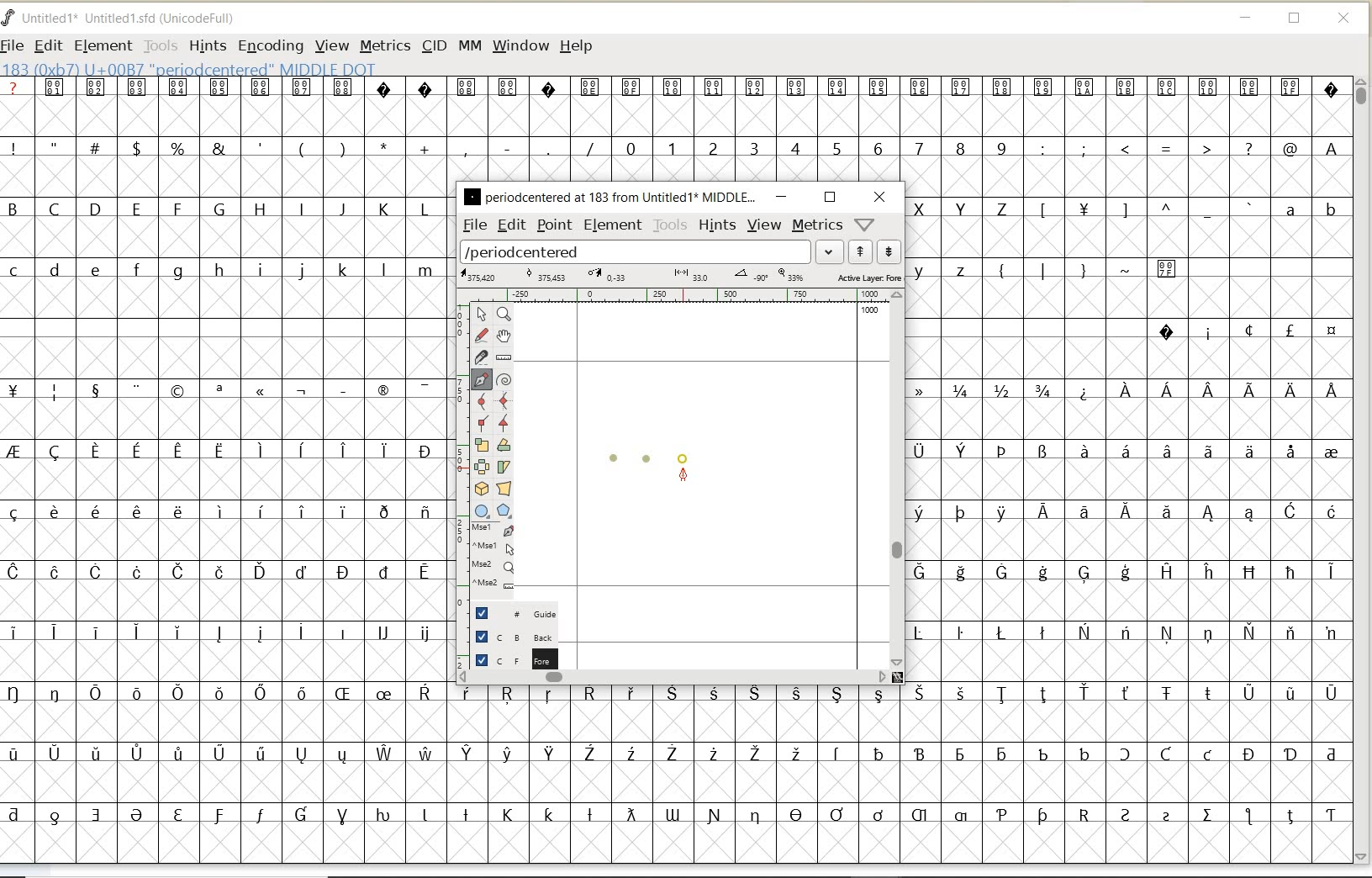  Describe the element at coordinates (1310, 213) in the screenshot. I see `lowercase letters` at that location.